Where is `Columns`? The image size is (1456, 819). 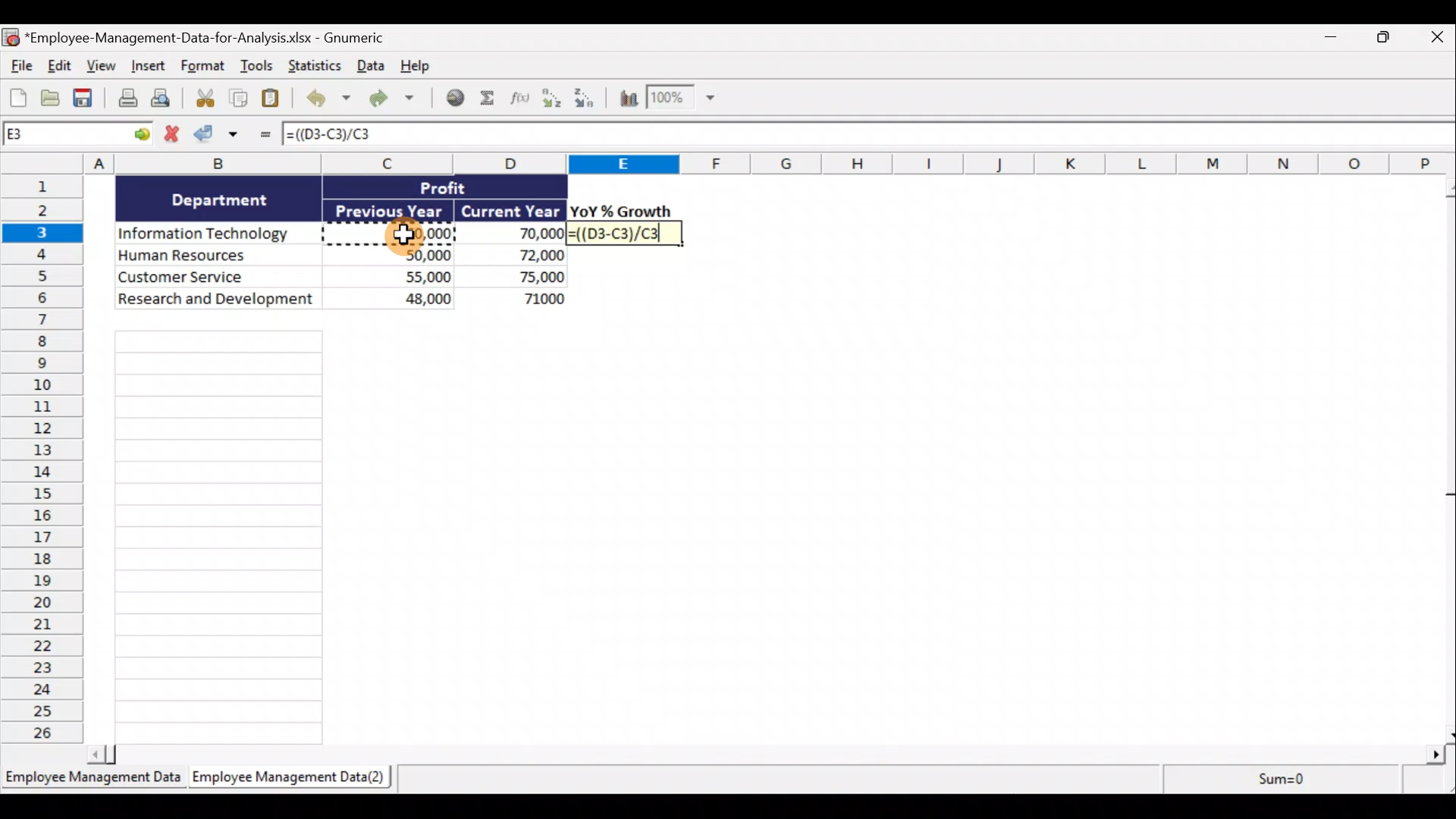
Columns is located at coordinates (728, 163).